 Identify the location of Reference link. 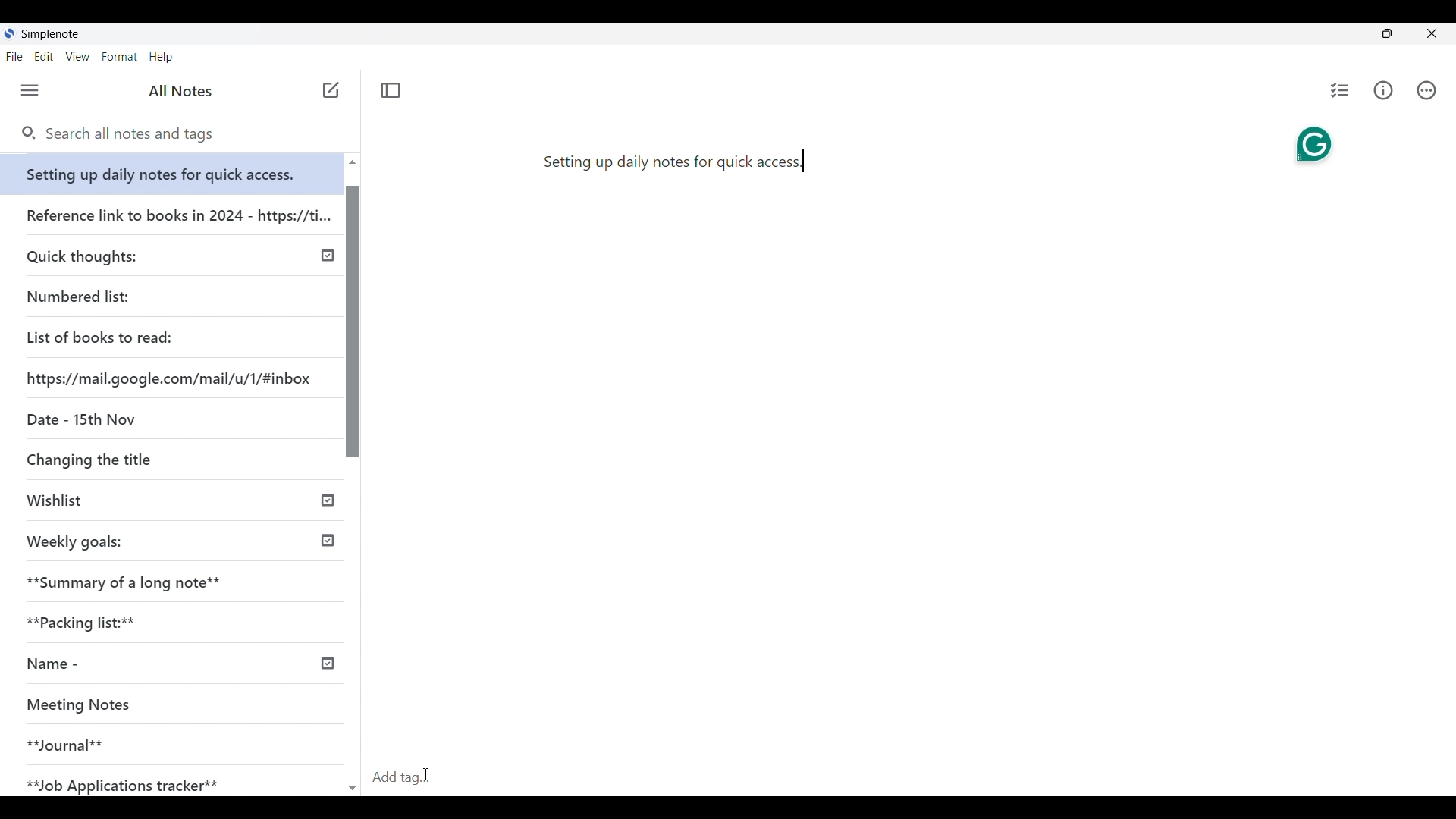
(177, 211).